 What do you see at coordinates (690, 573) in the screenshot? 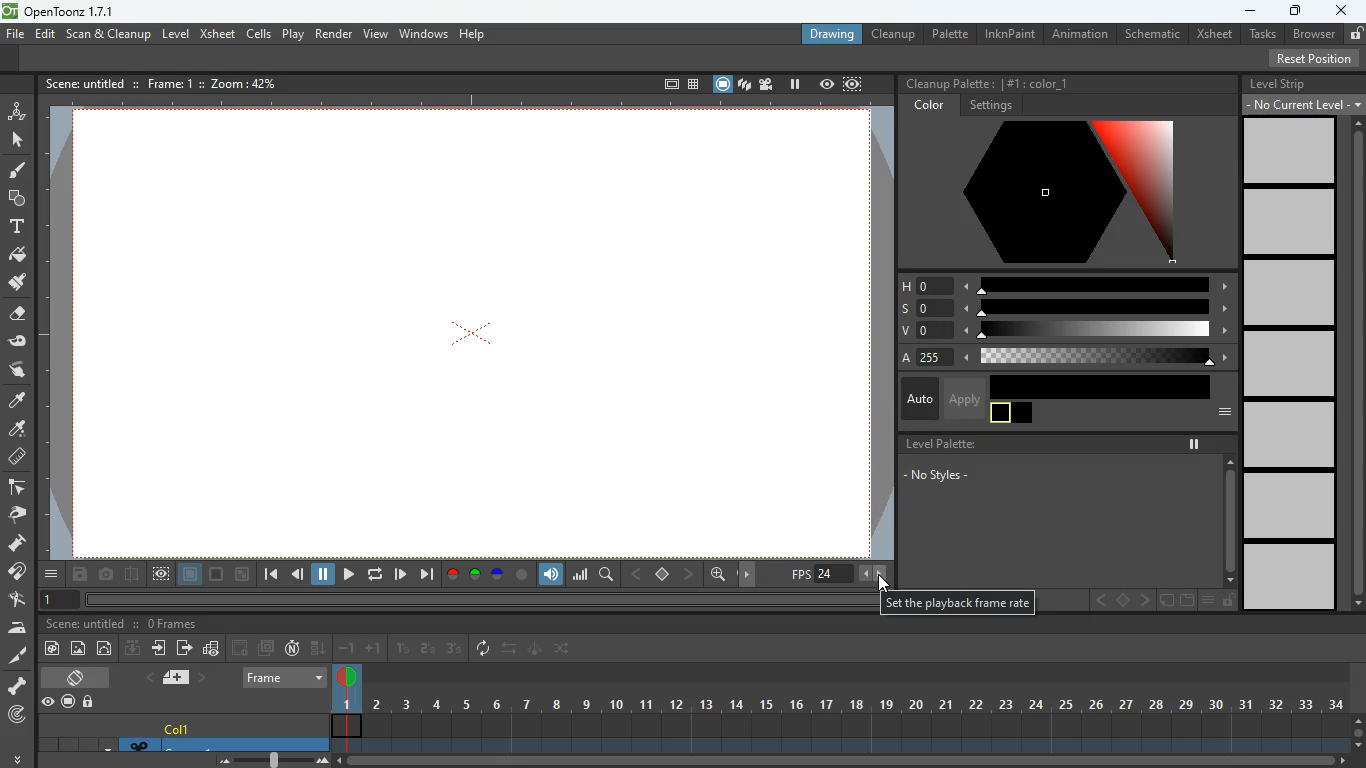
I see `right` at bounding box center [690, 573].